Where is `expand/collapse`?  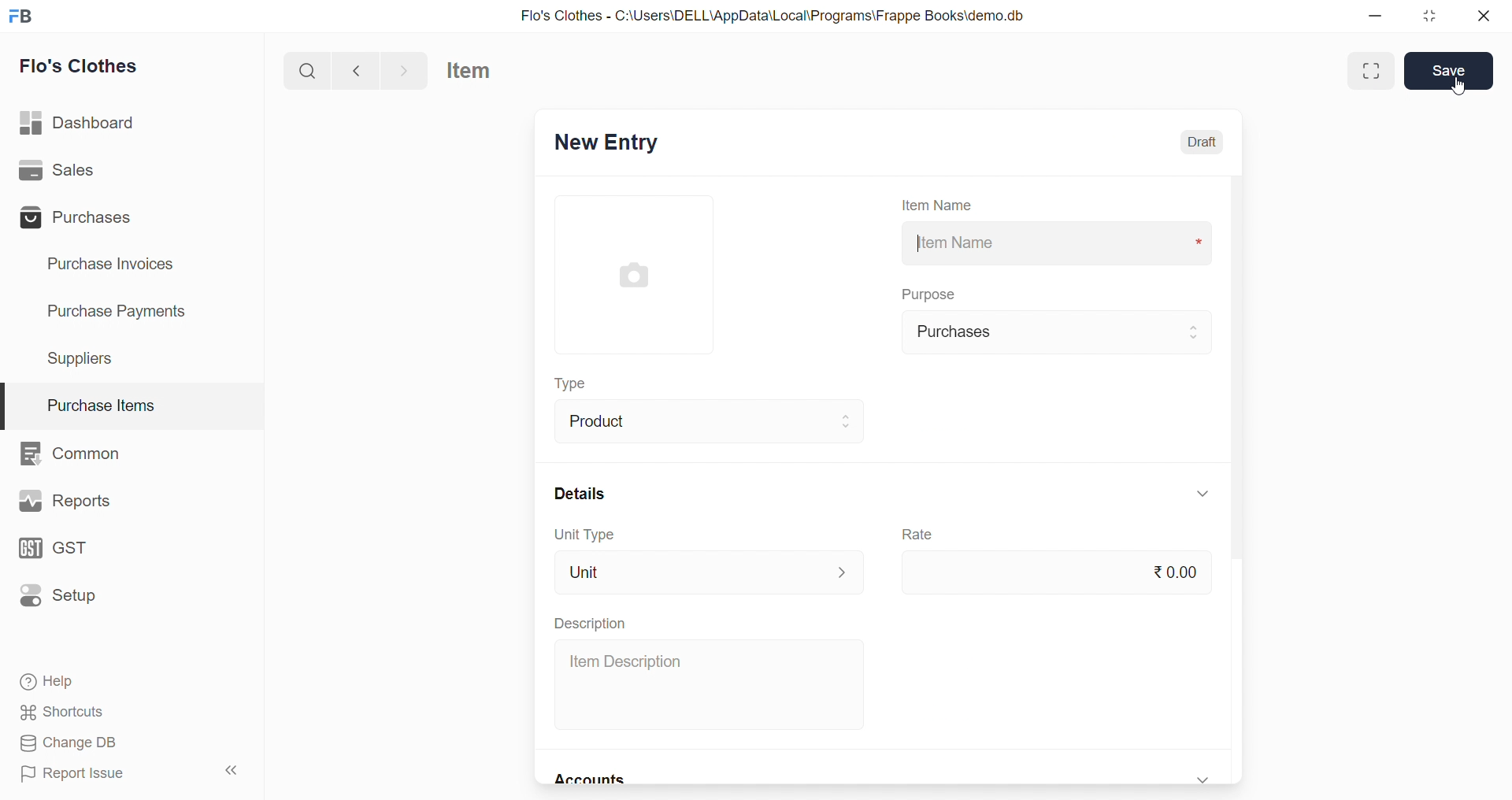 expand/collapse is located at coordinates (1205, 777).